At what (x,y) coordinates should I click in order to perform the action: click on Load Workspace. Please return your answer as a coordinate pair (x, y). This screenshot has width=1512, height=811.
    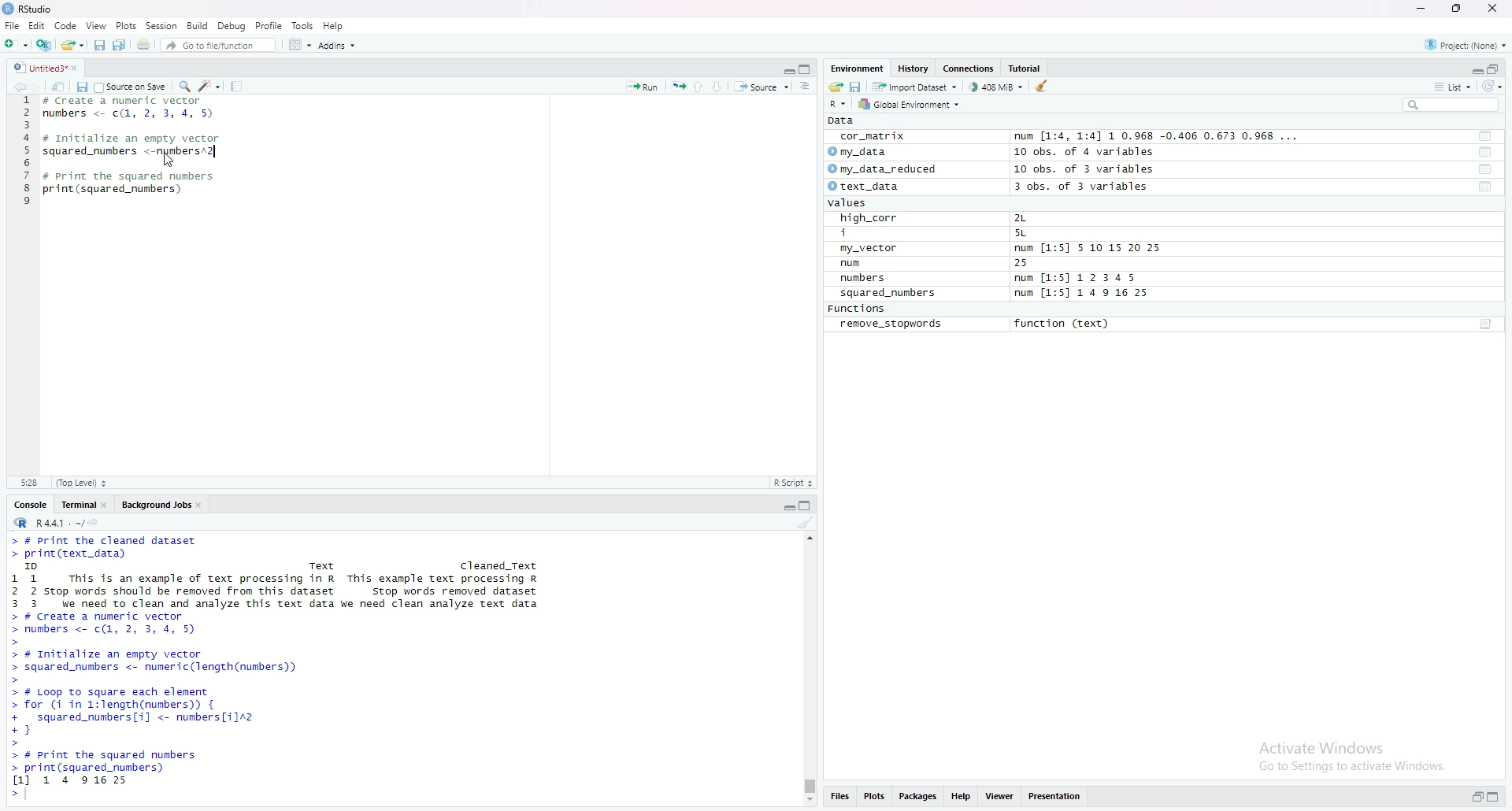
    Looking at the image, I should click on (836, 85).